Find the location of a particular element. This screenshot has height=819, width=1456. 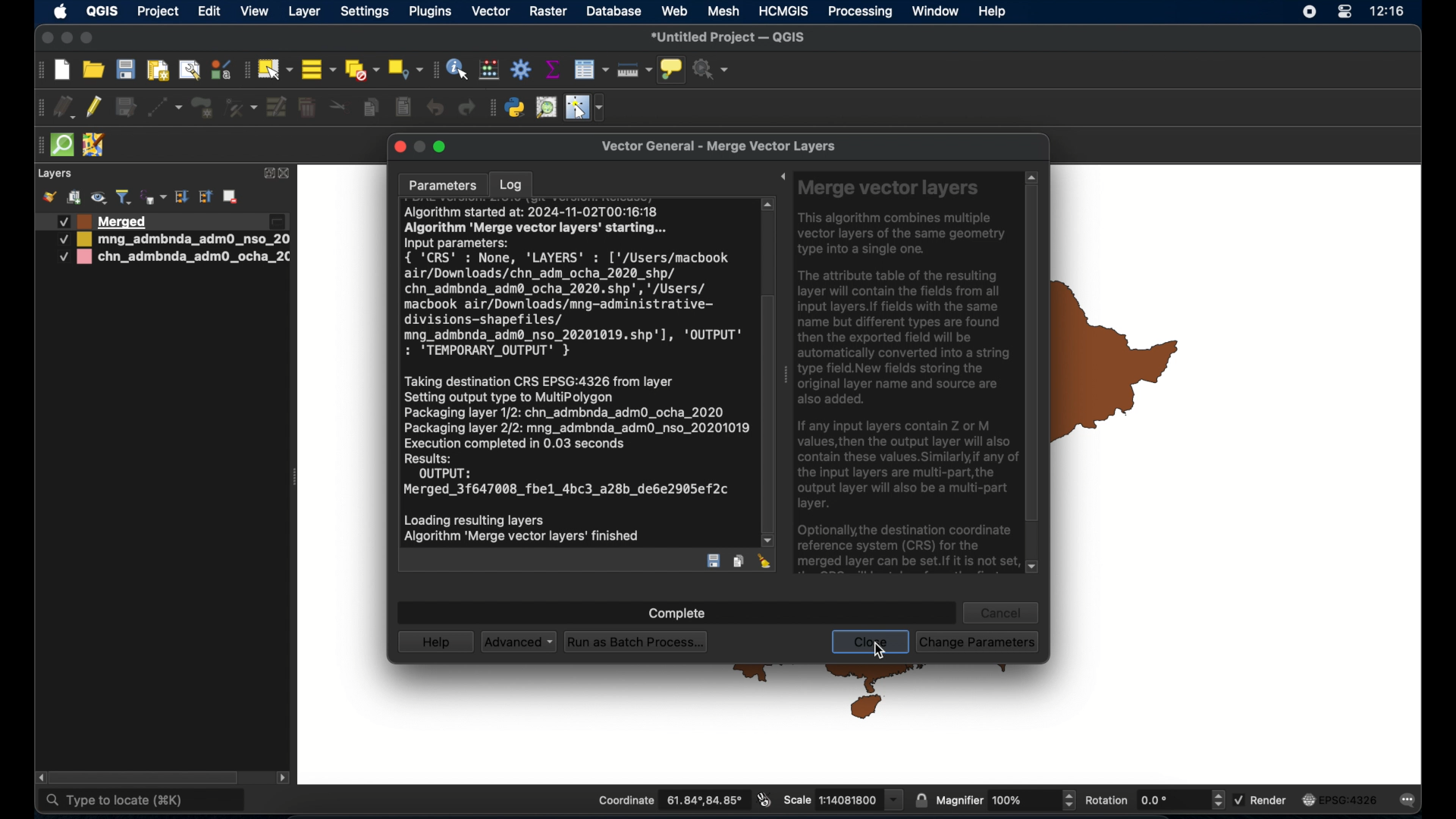

close is located at coordinates (400, 148).